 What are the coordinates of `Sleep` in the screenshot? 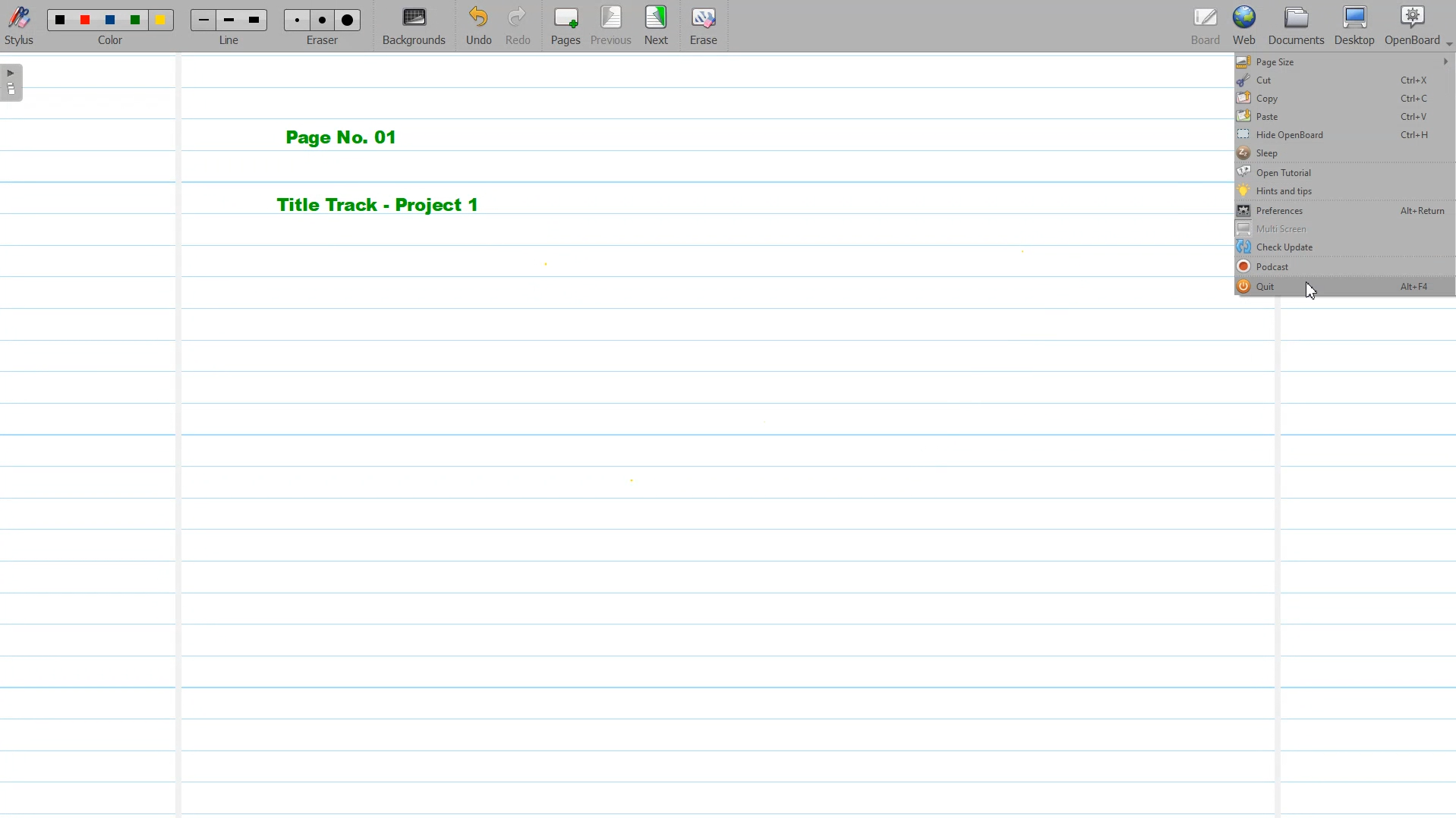 It's located at (1345, 154).